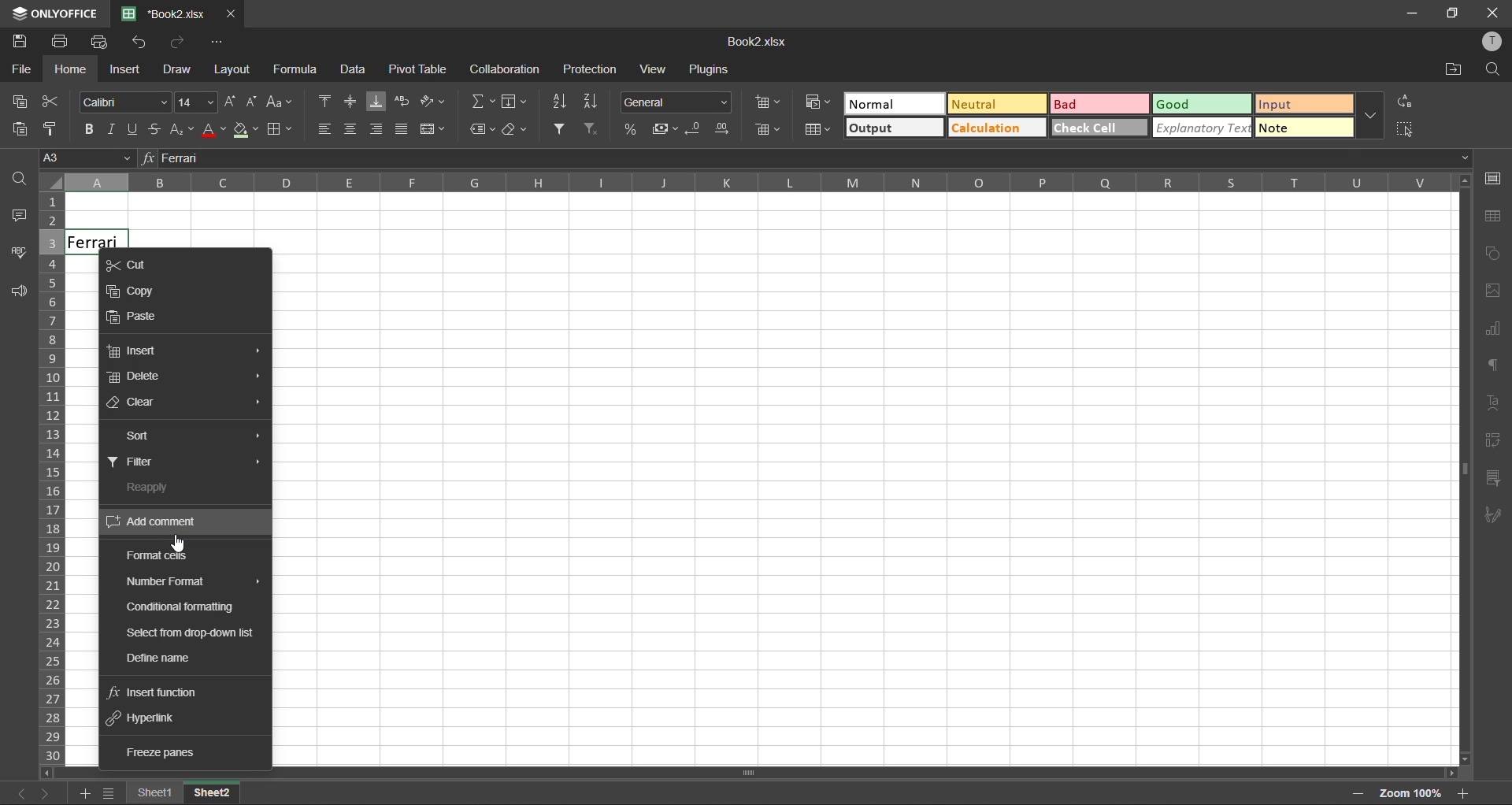 The width and height of the screenshot is (1512, 805). I want to click on neutral, so click(990, 103).